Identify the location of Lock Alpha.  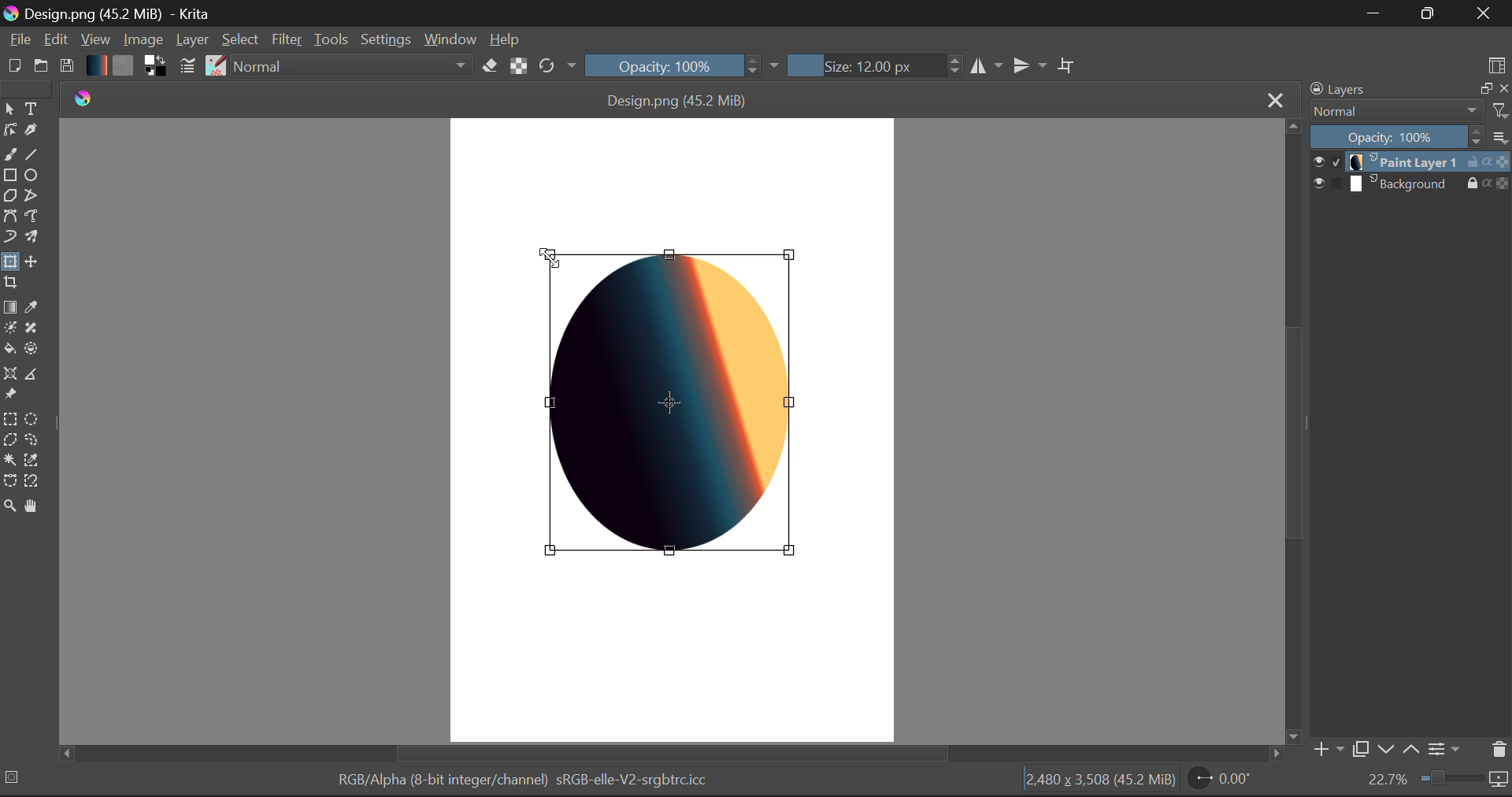
(519, 65).